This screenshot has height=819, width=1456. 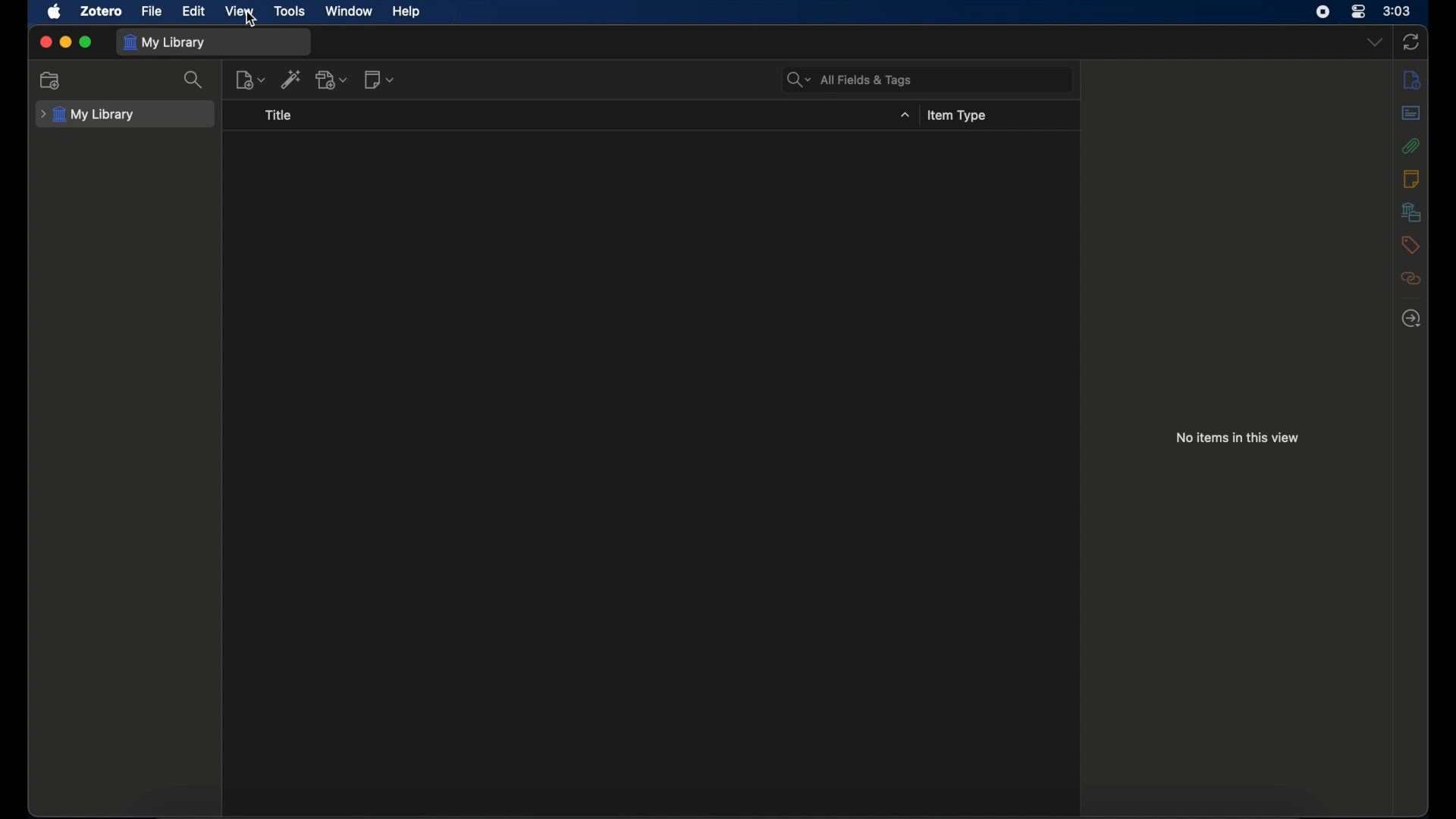 What do you see at coordinates (350, 11) in the screenshot?
I see `window` at bounding box center [350, 11].